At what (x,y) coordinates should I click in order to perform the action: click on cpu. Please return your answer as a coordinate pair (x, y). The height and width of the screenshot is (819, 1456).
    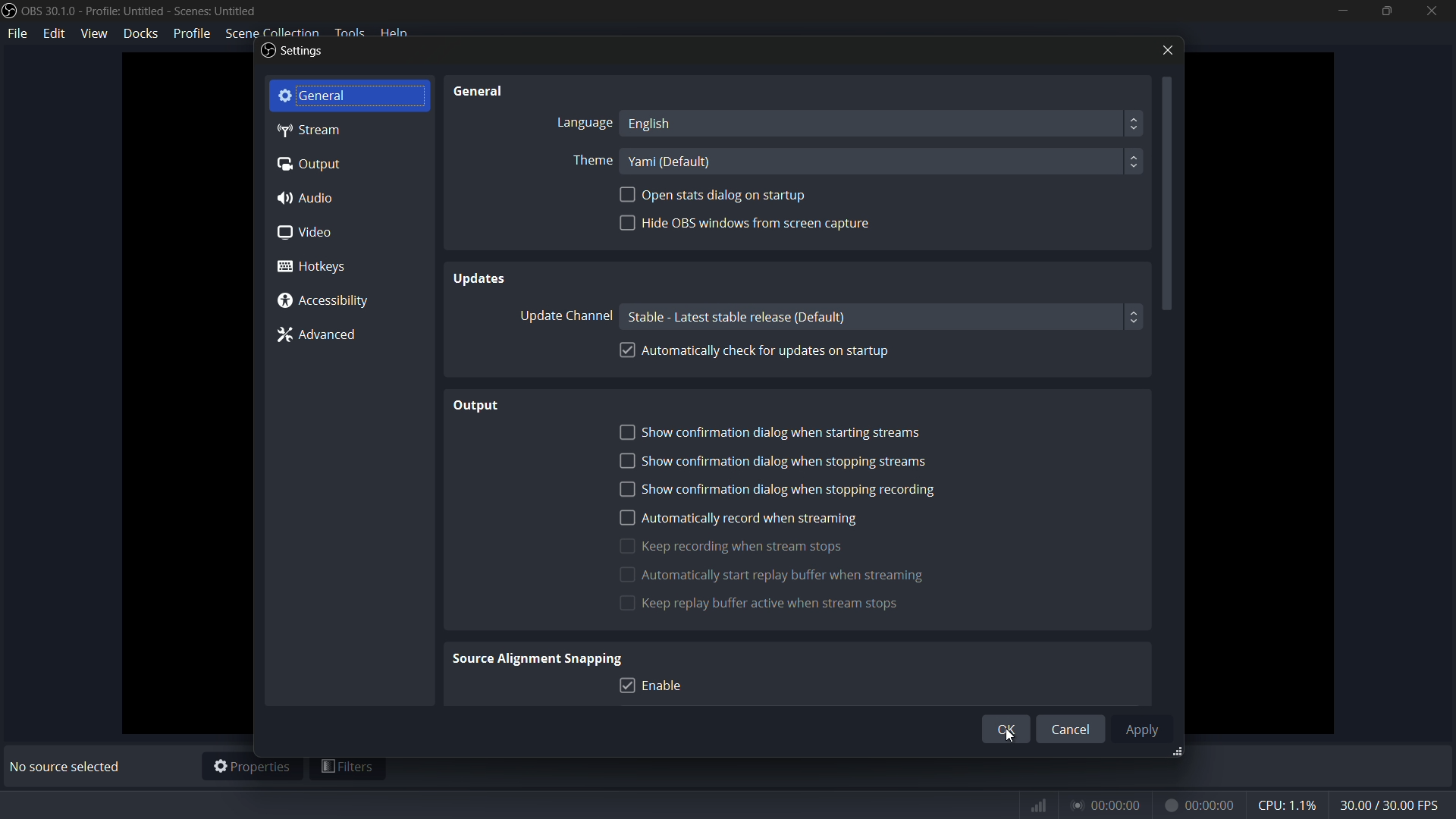
    Looking at the image, I should click on (1286, 804).